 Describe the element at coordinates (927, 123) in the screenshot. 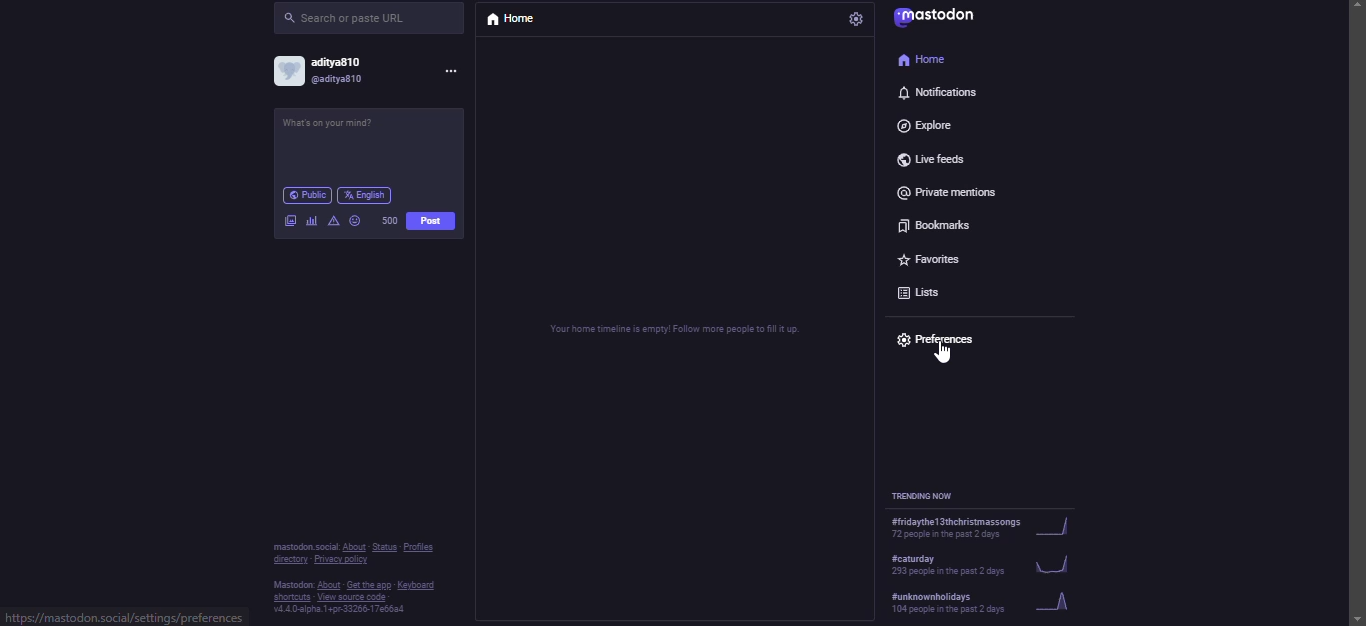

I see `explore` at that location.